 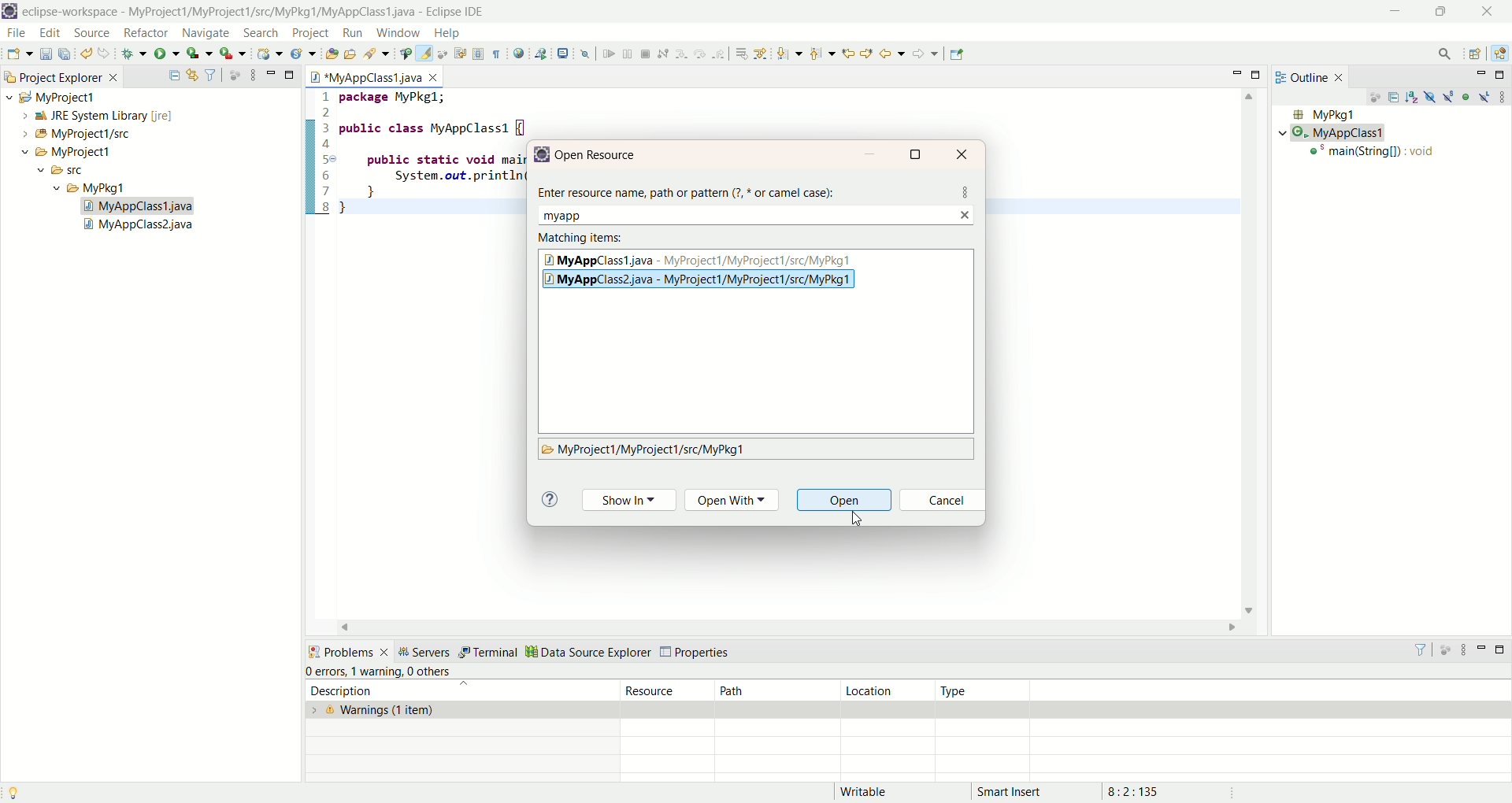 I want to click on file, so click(x=20, y=35).